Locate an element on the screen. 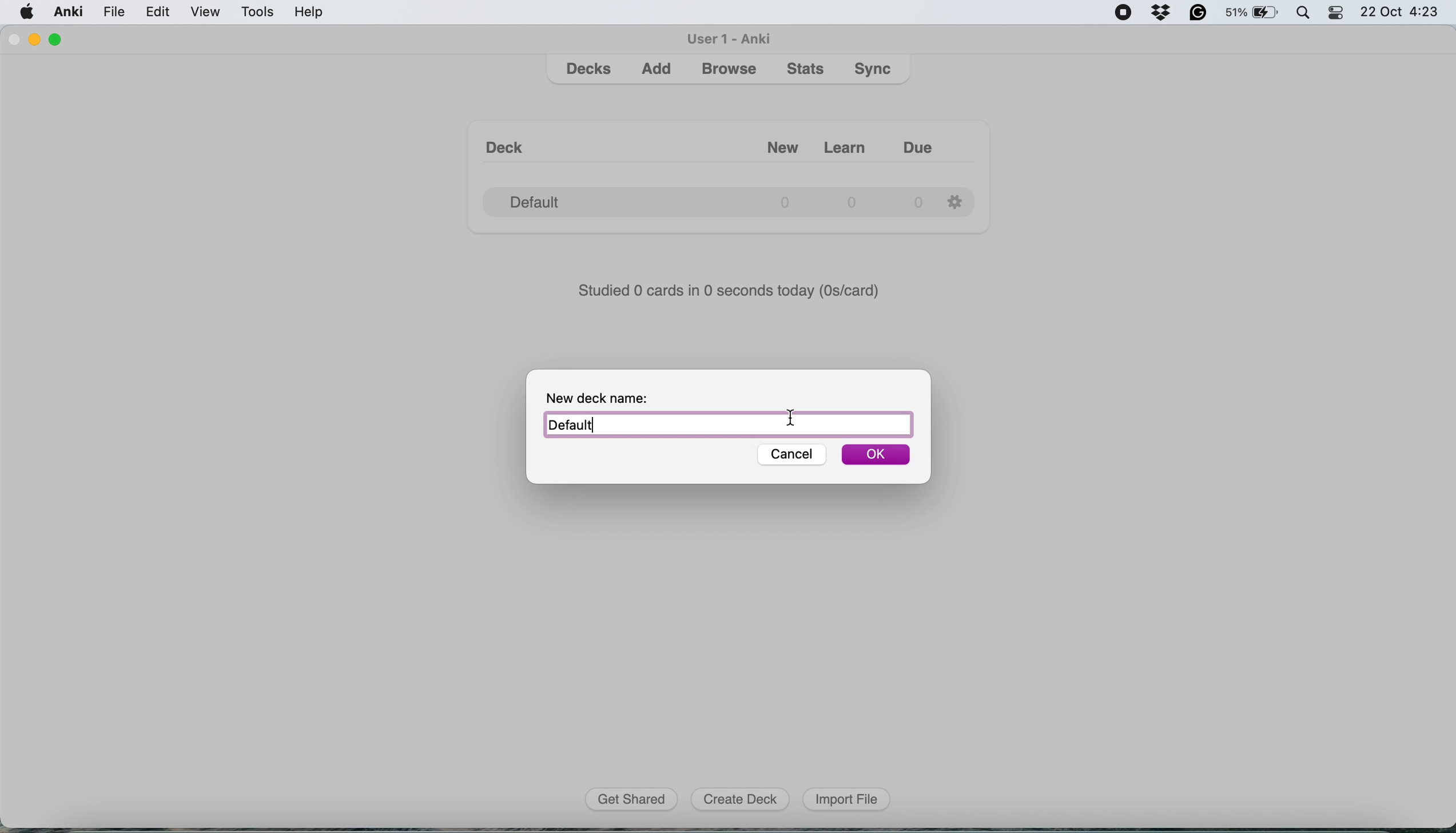  grammarly is located at coordinates (1198, 14).